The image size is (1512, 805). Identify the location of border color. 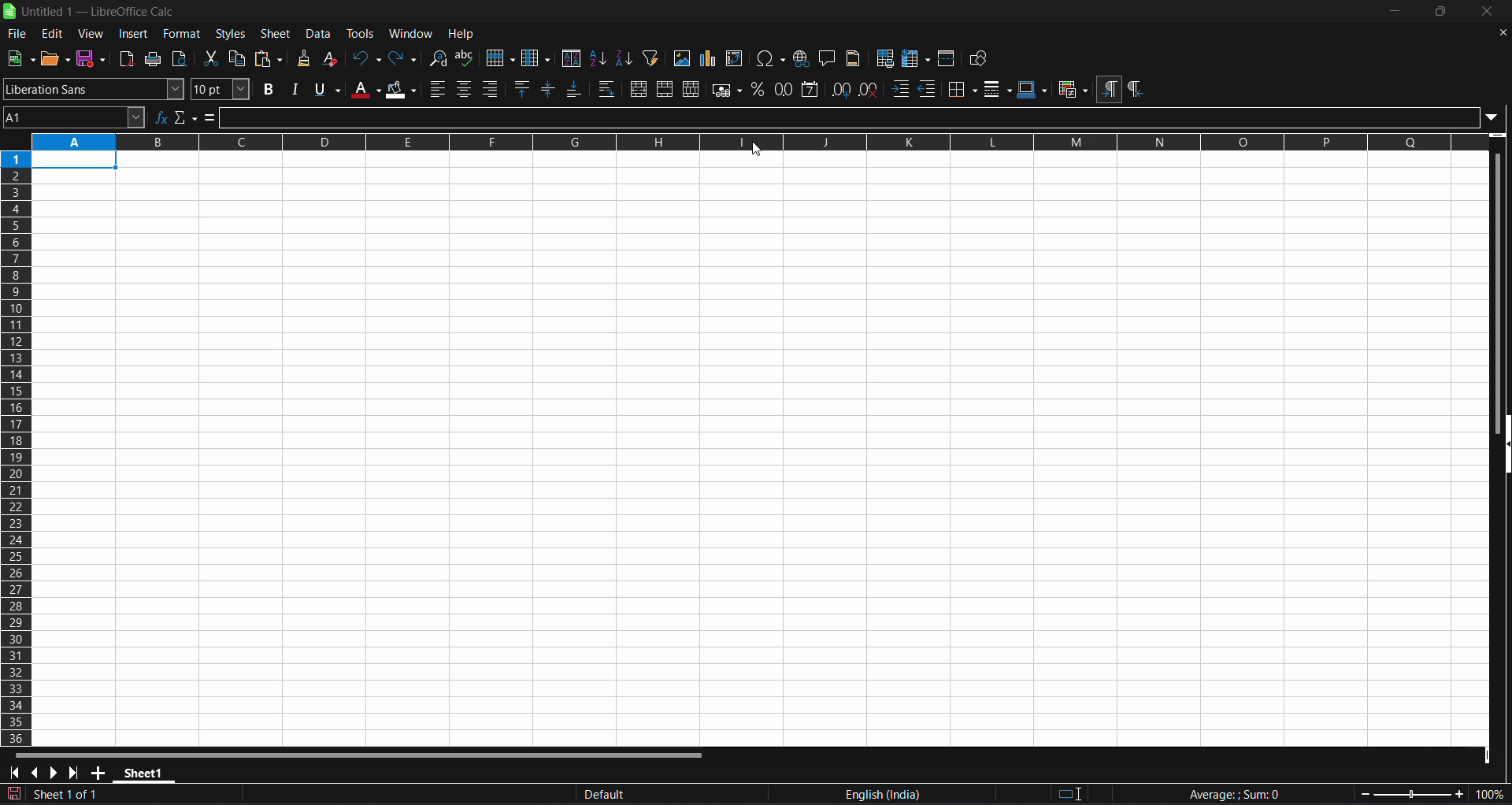
(1034, 87).